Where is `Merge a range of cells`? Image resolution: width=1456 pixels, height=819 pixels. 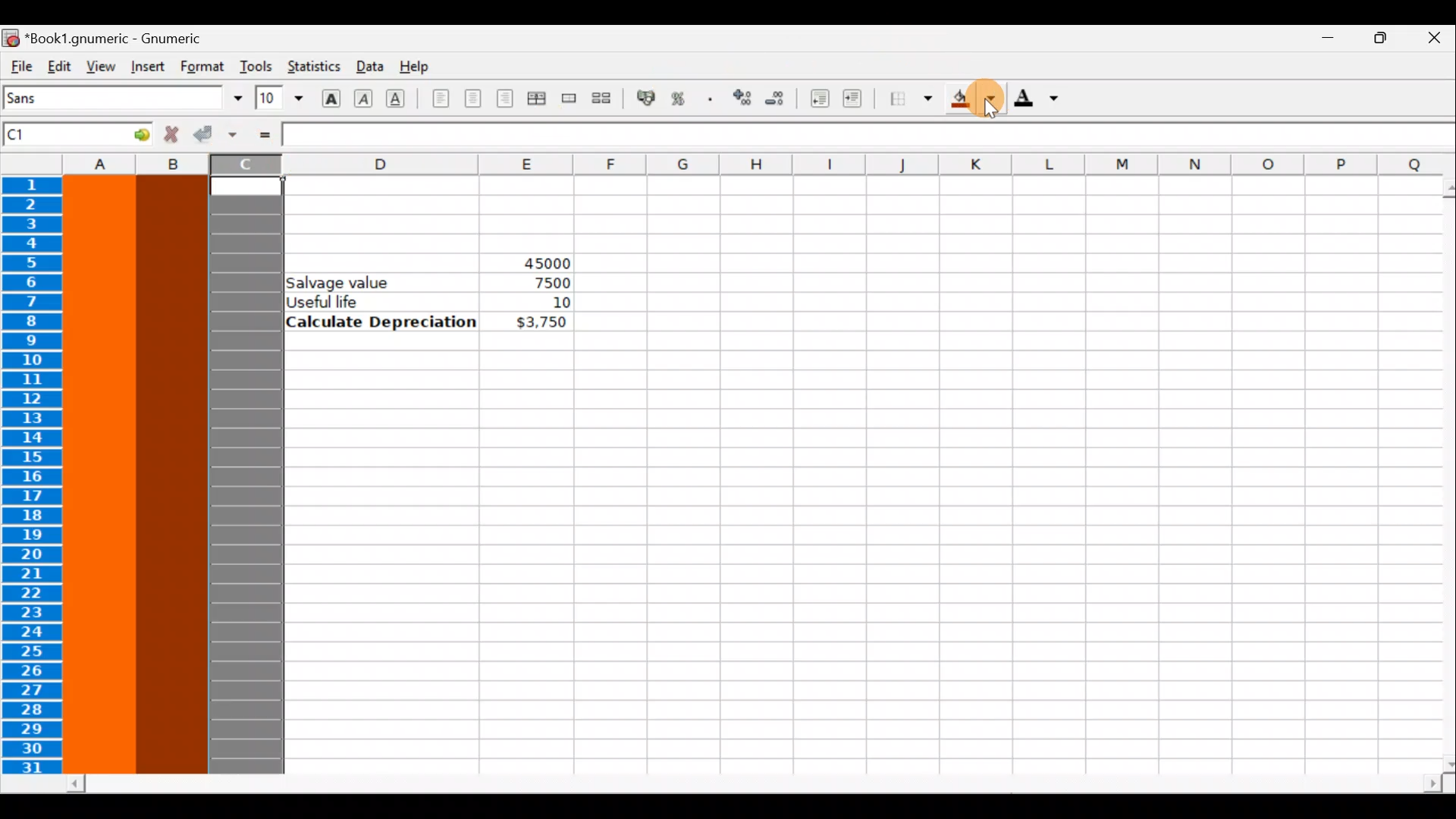 Merge a range of cells is located at coordinates (570, 101).